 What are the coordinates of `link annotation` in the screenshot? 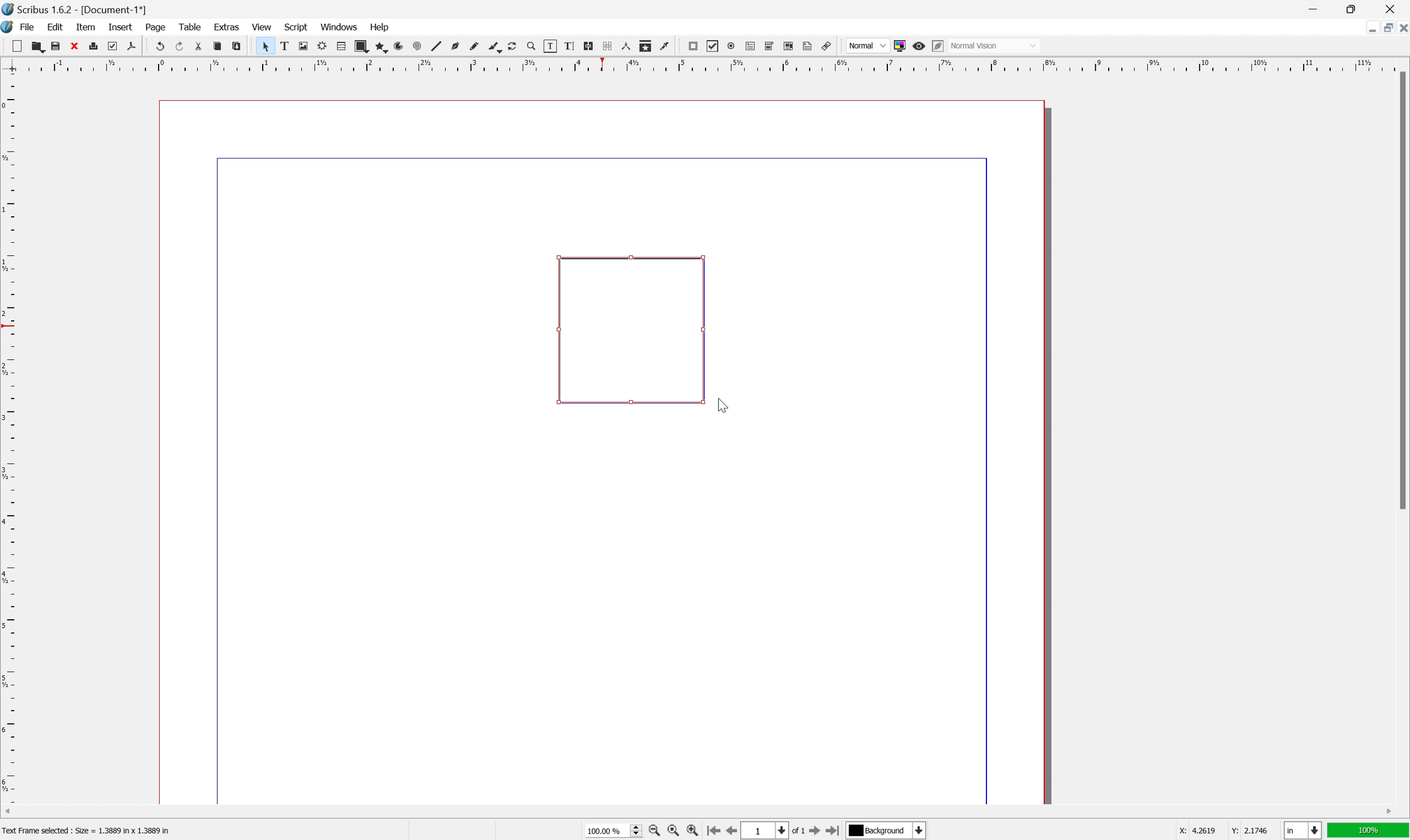 It's located at (826, 46).